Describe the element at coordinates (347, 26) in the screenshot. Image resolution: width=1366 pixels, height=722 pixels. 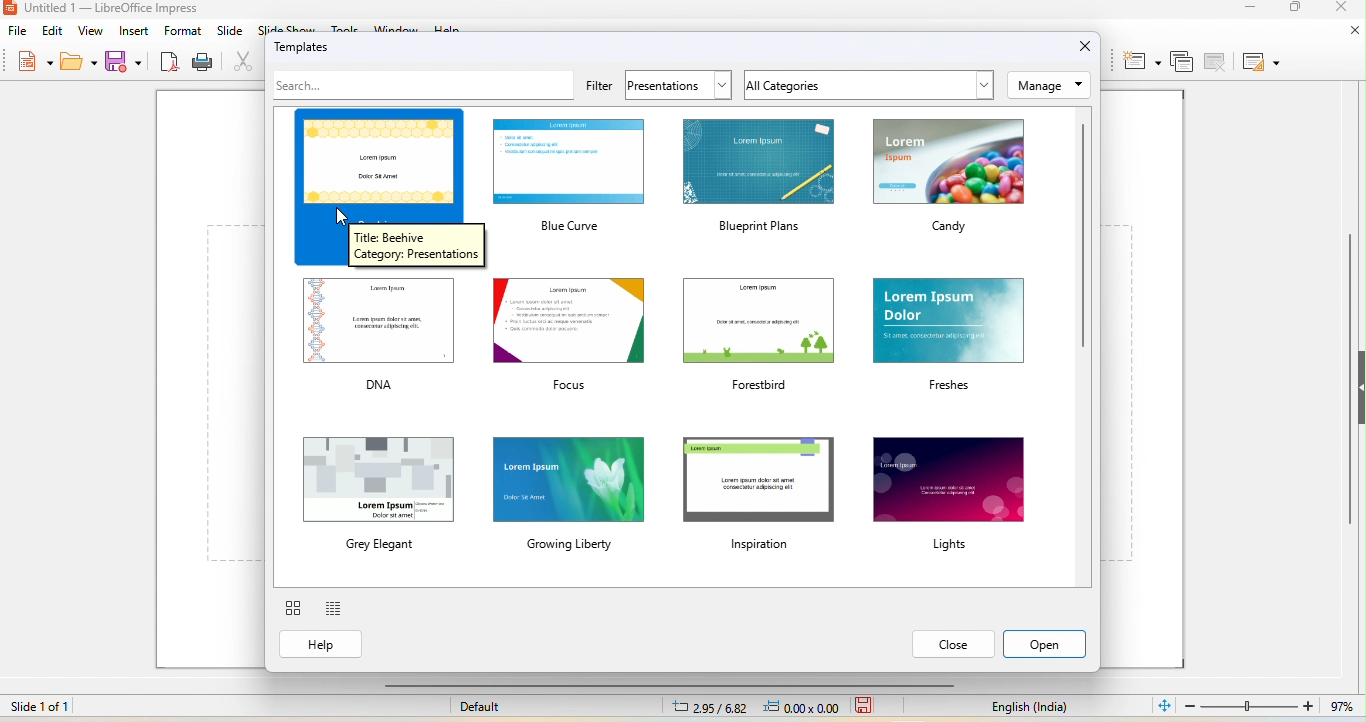
I see `tools` at that location.